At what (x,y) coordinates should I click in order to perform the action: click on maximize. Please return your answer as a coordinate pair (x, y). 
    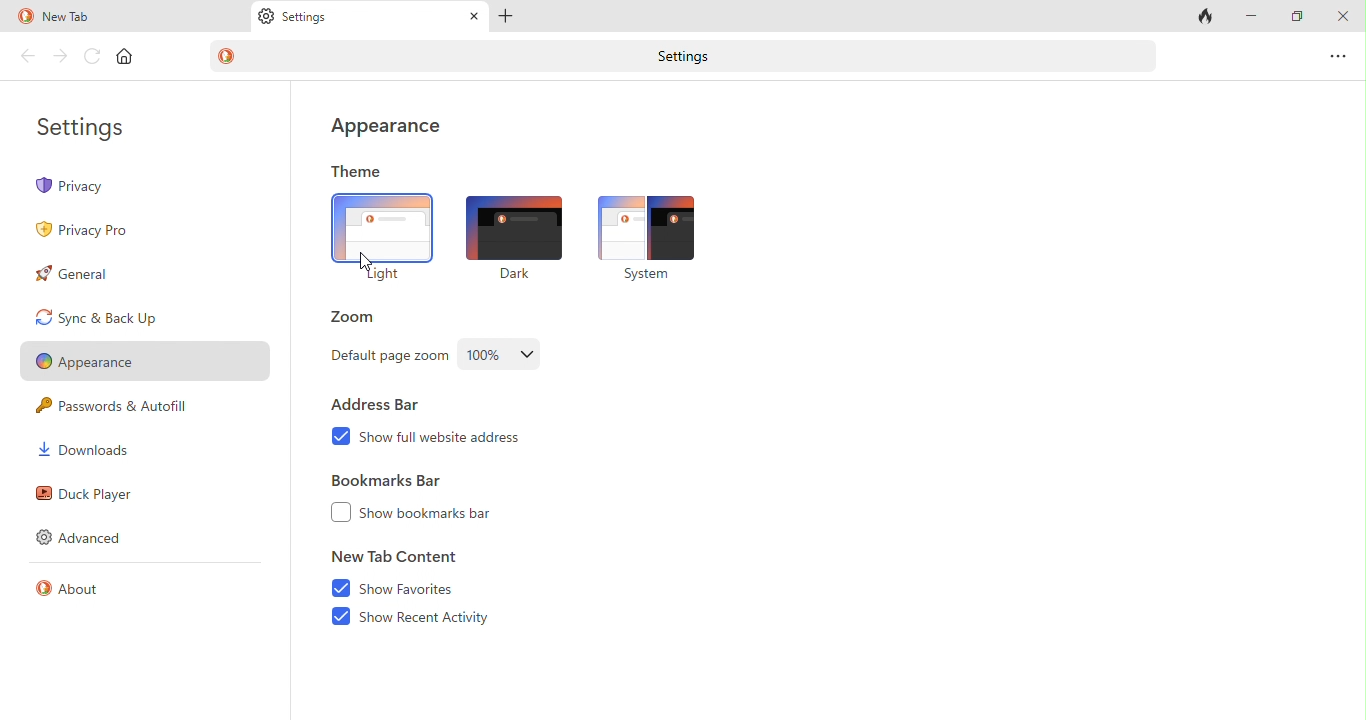
    Looking at the image, I should click on (1298, 15).